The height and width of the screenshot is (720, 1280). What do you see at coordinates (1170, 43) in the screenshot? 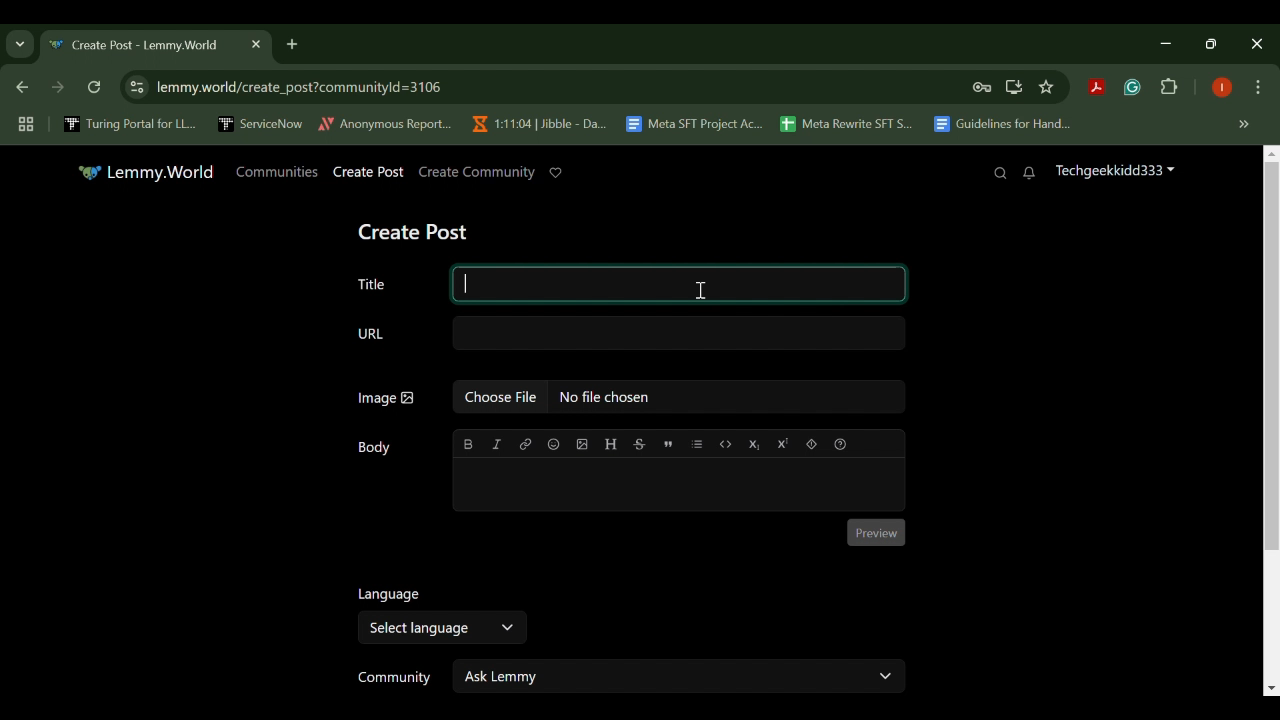
I see `Restore Down` at bounding box center [1170, 43].